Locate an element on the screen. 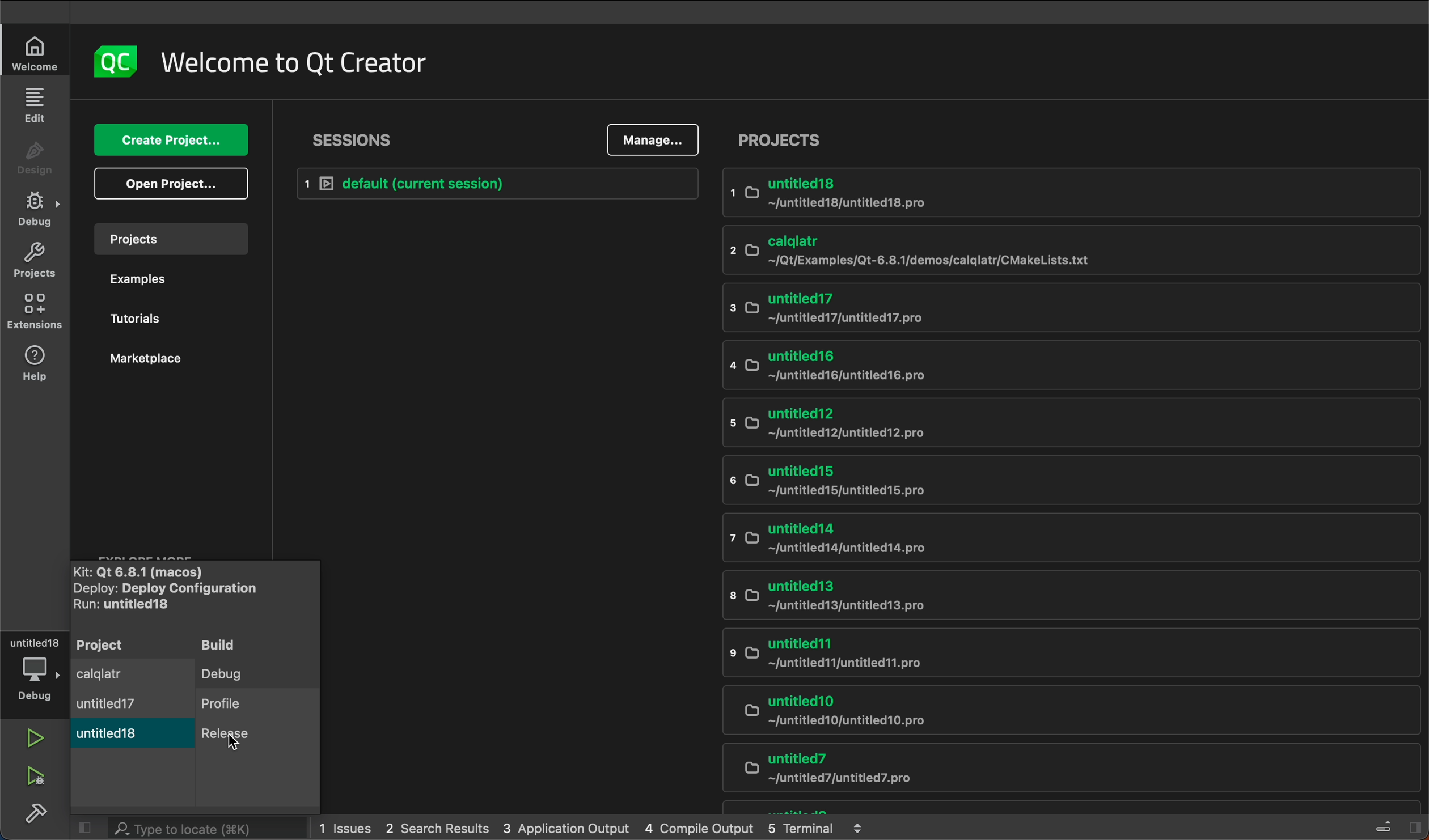 This screenshot has width=1429, height=840. tutorials is located at coordinates (168, 320).